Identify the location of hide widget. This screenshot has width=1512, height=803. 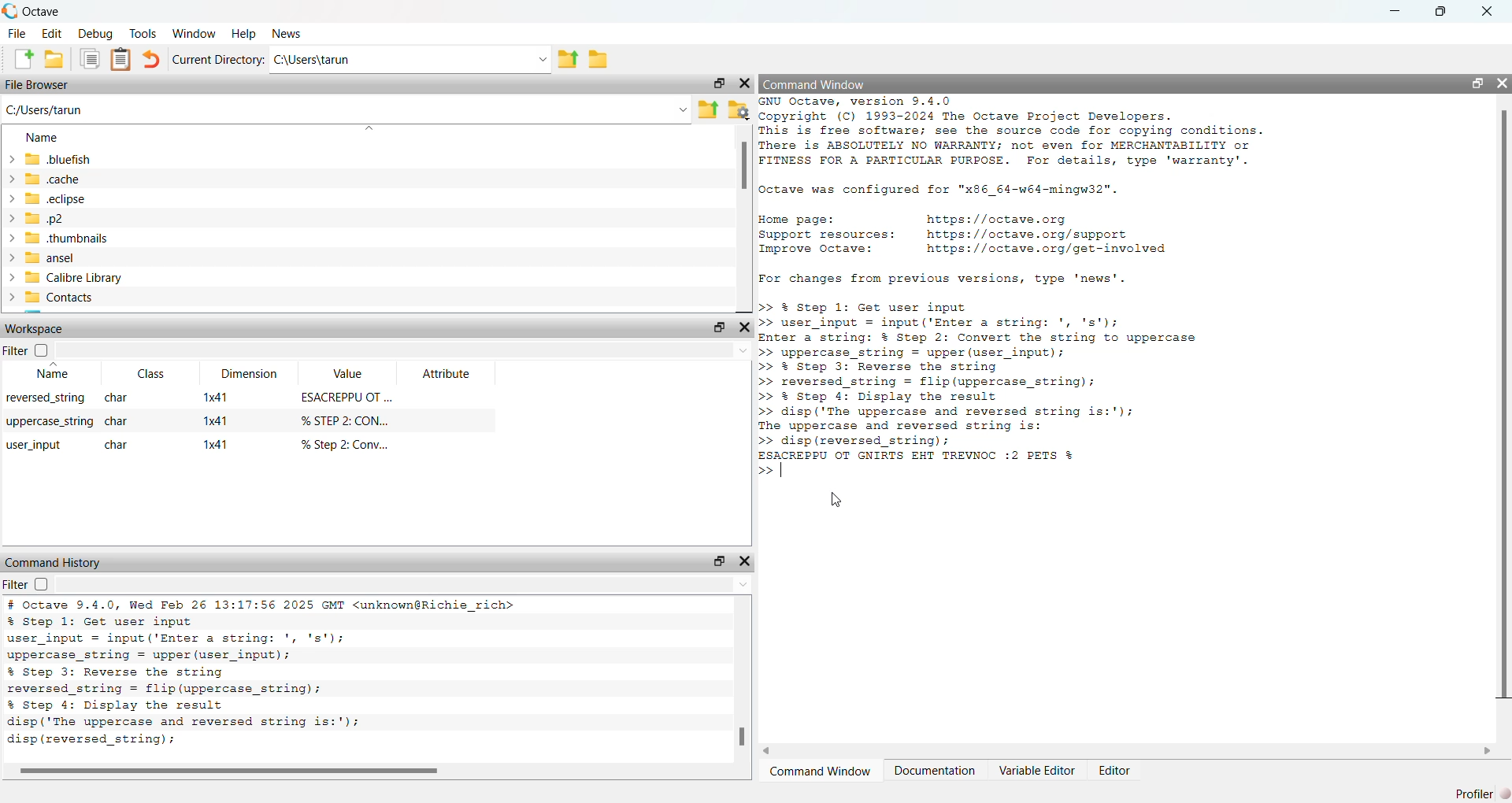
(744, 81).